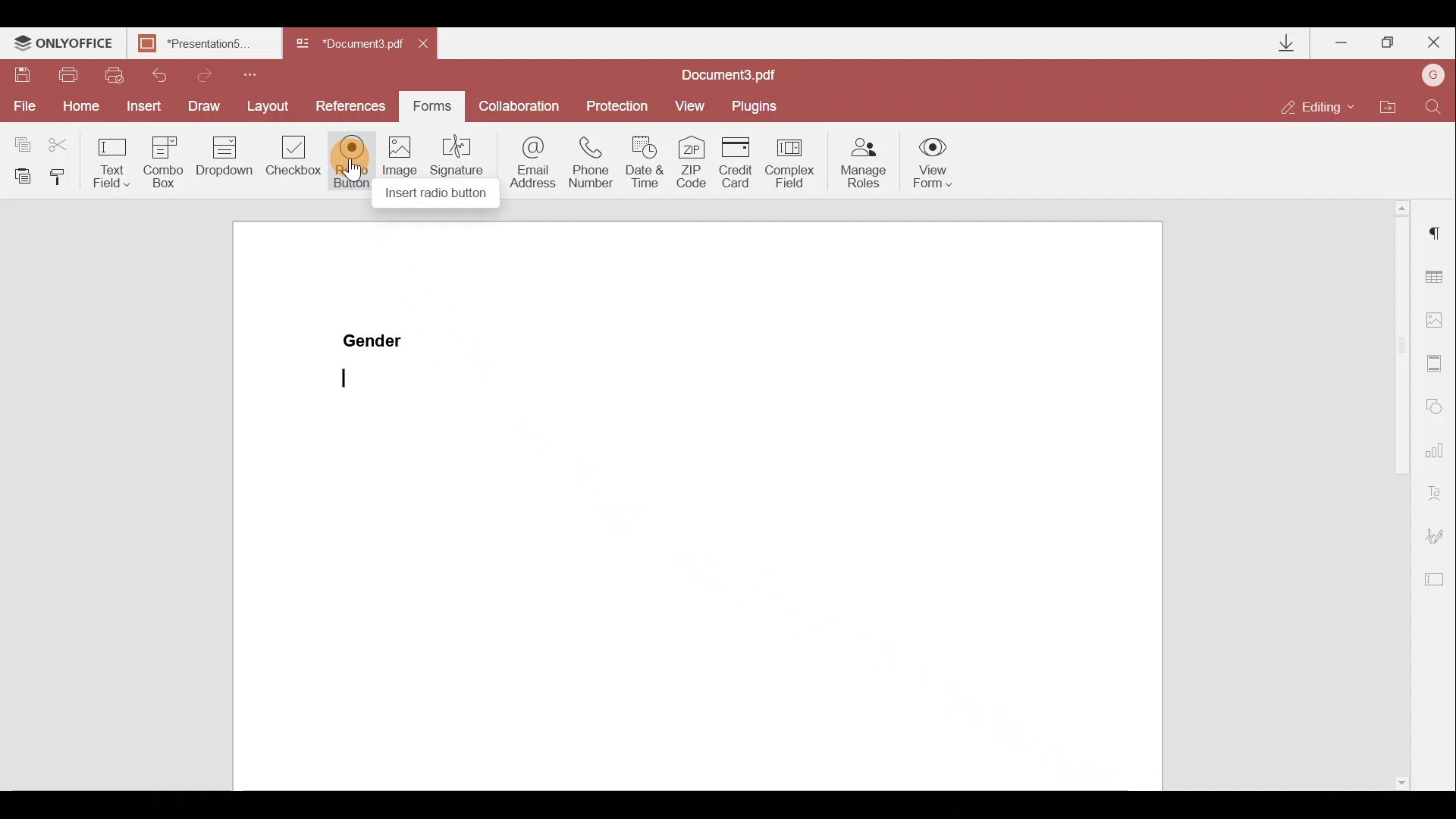  I want to click on Image, so click(401, 171).